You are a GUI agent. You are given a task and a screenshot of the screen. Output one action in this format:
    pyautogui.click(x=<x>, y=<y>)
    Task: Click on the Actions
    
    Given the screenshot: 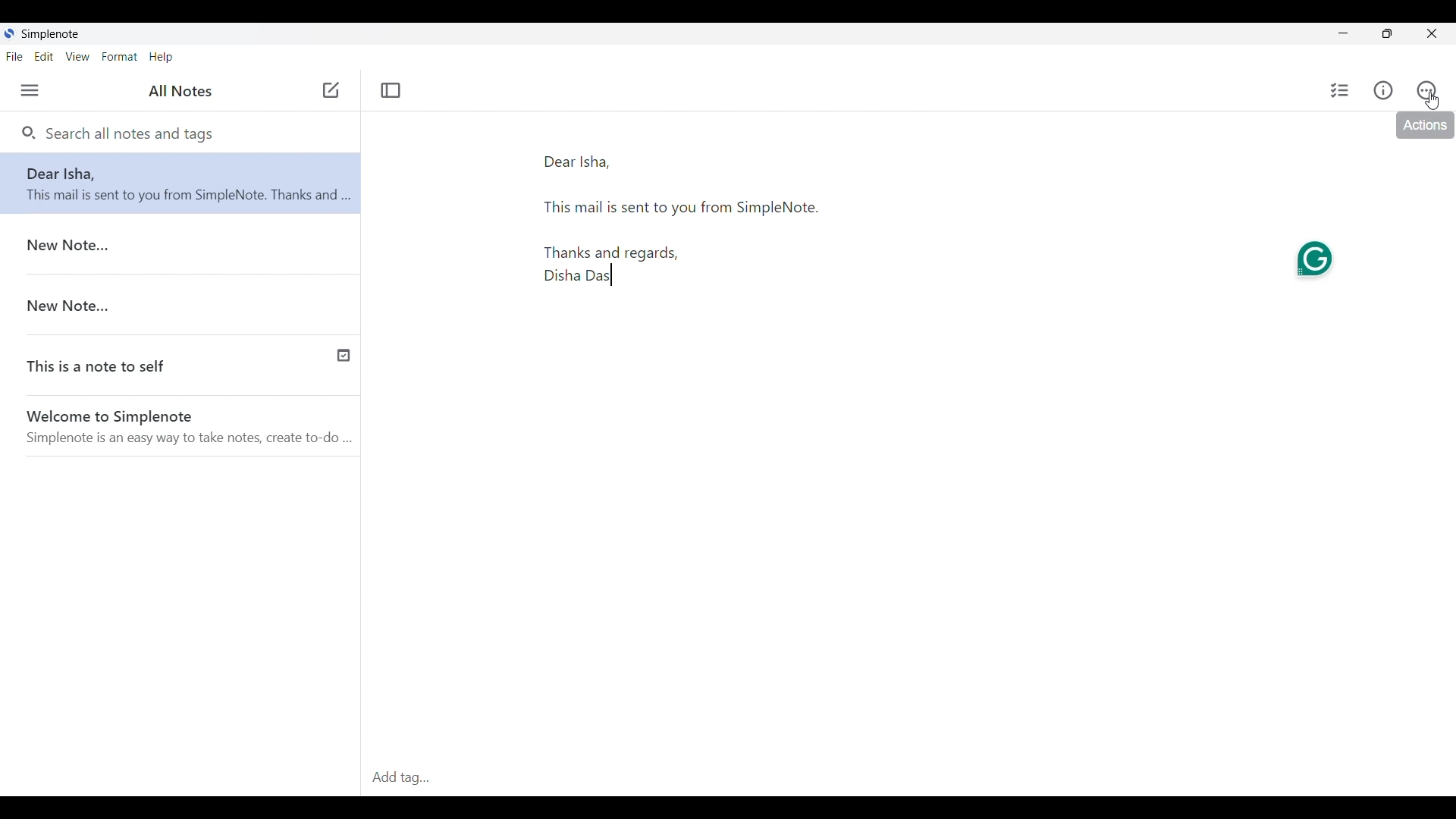 What is the action you would take?
    pyautogui.click(x=1426, y=127)
    